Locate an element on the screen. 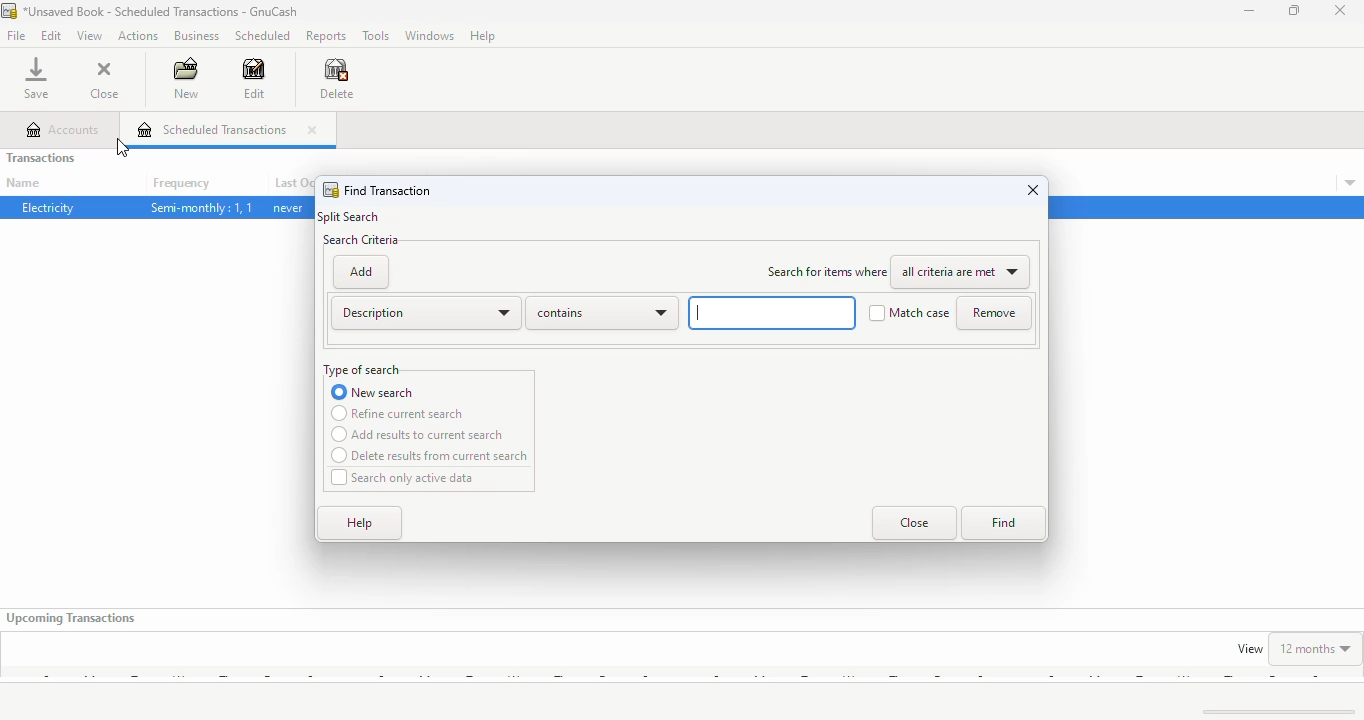 The image size is (1364, 720). windows is located at coordinates (431, 35).